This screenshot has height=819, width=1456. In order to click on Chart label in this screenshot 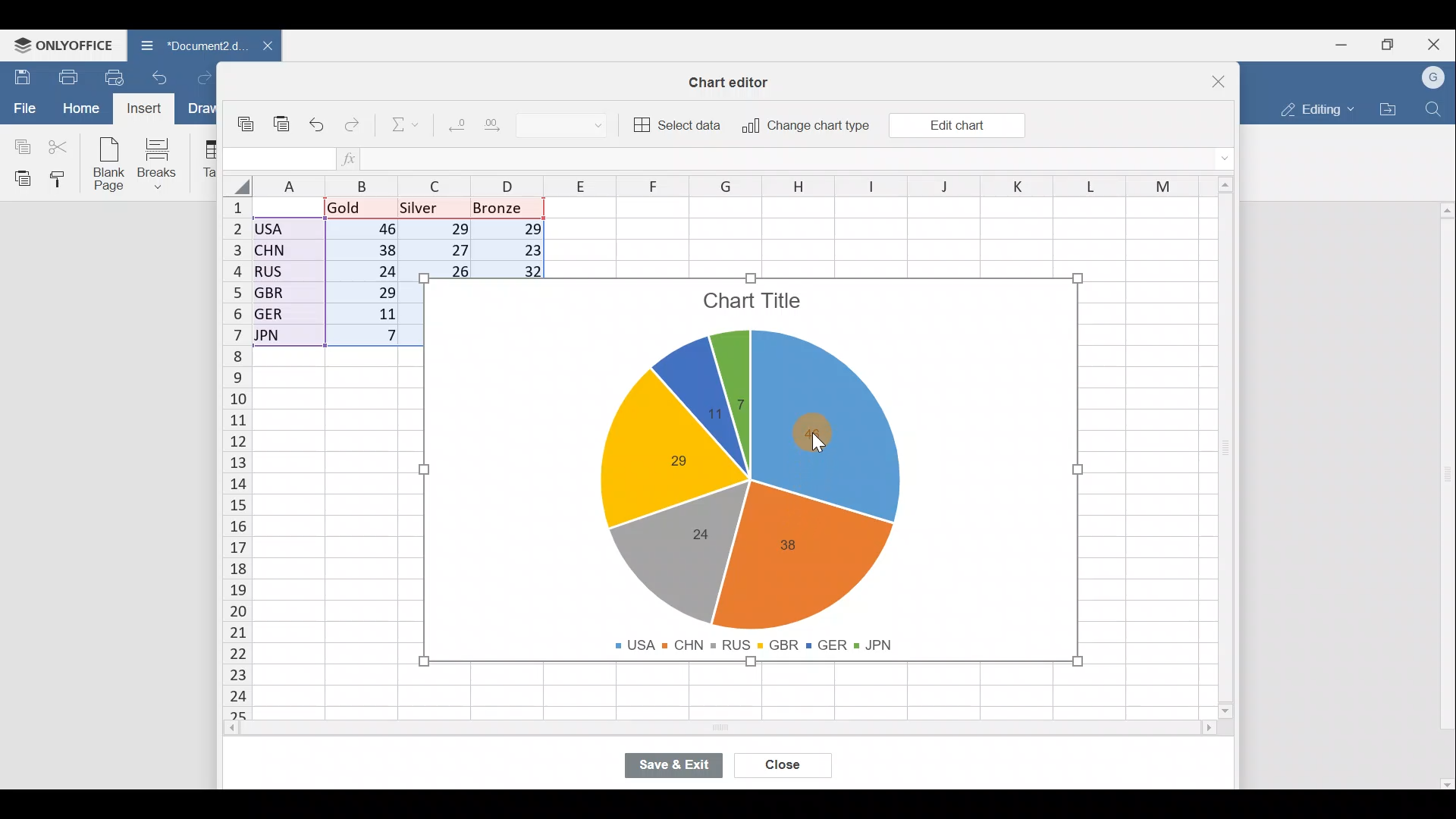, I will do `click(740, 395)`.